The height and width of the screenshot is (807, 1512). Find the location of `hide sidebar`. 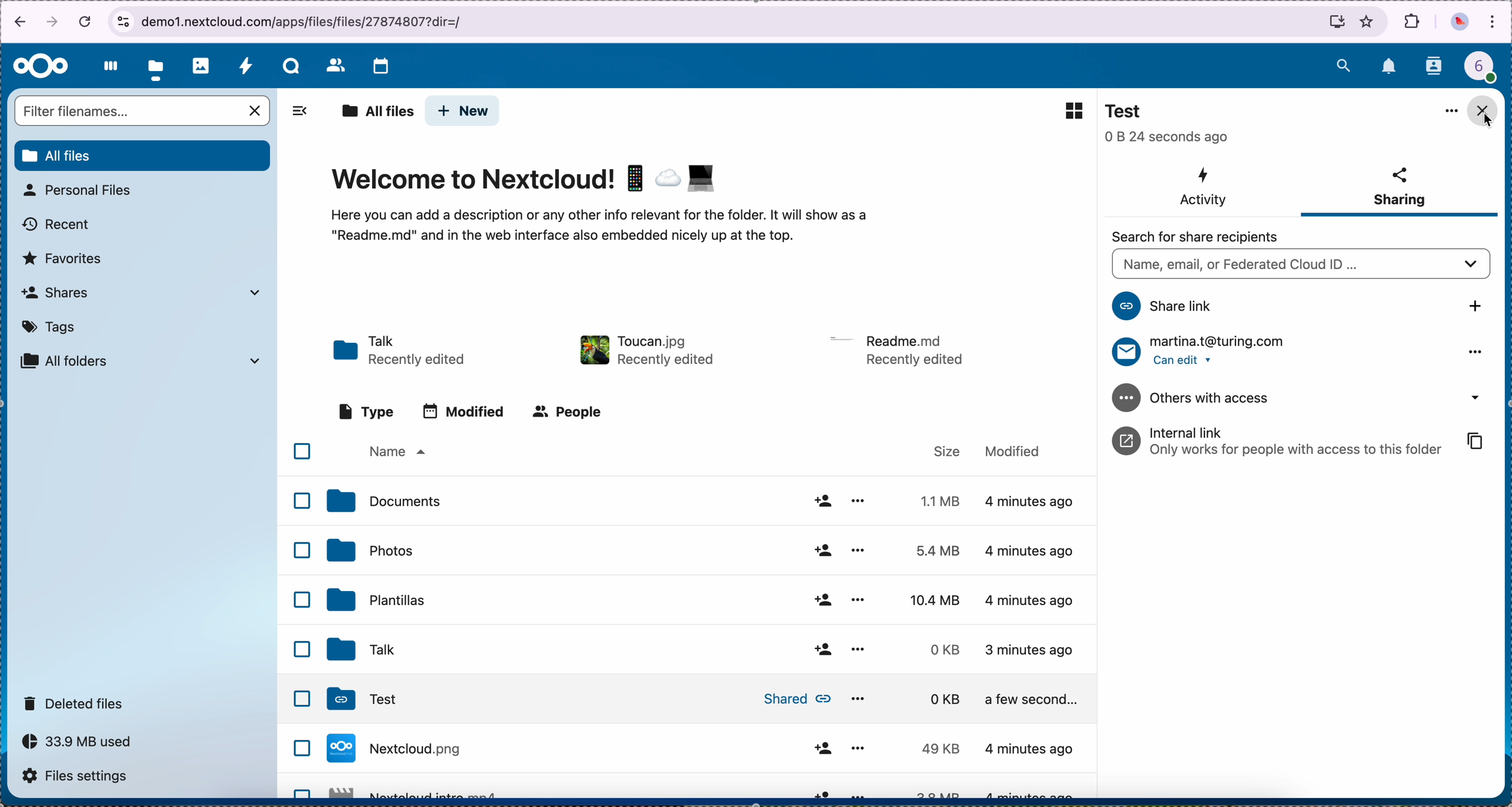

hide sidebar is located at coordinates (296, 115).